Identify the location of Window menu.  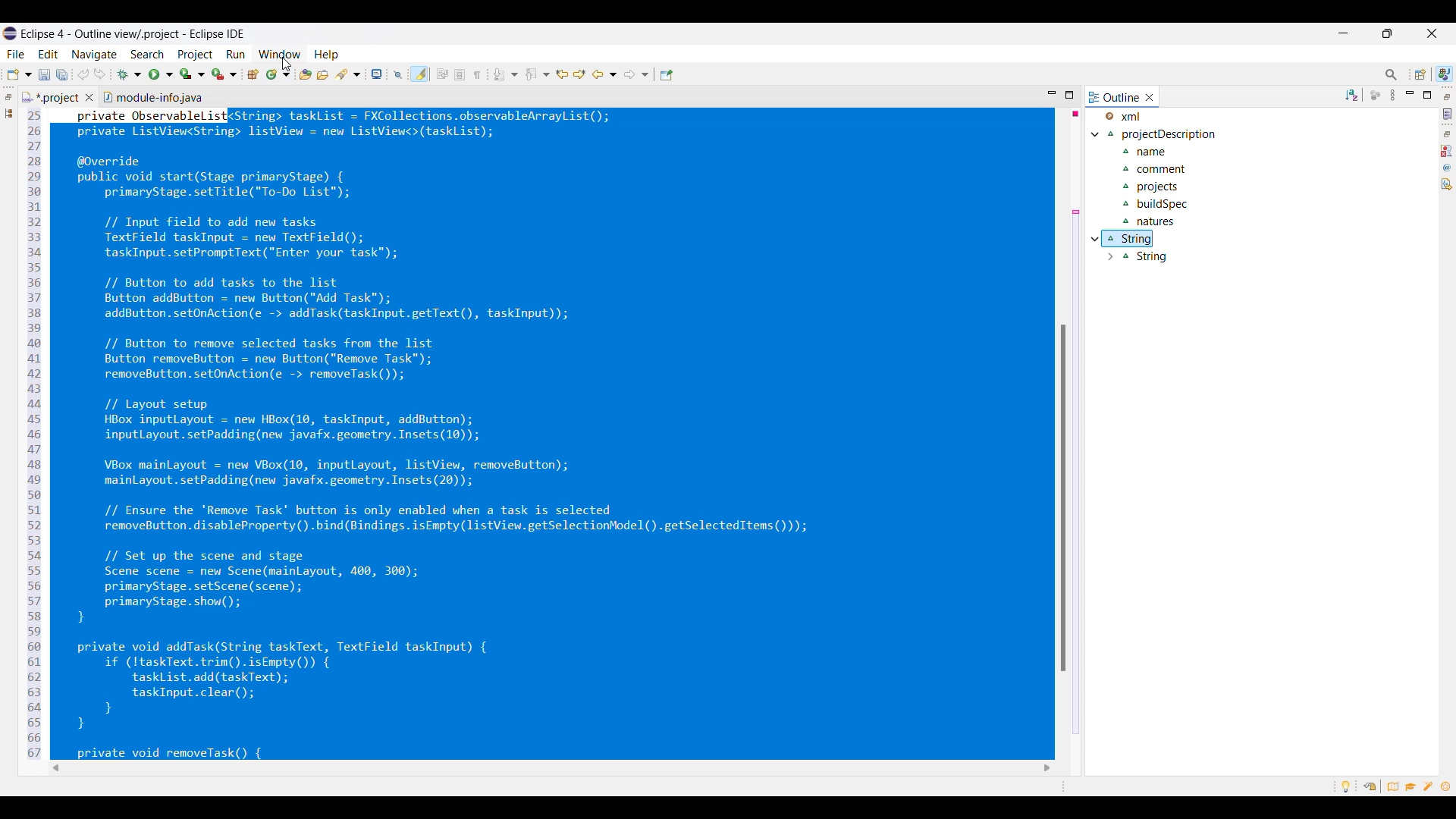
(281, 54).